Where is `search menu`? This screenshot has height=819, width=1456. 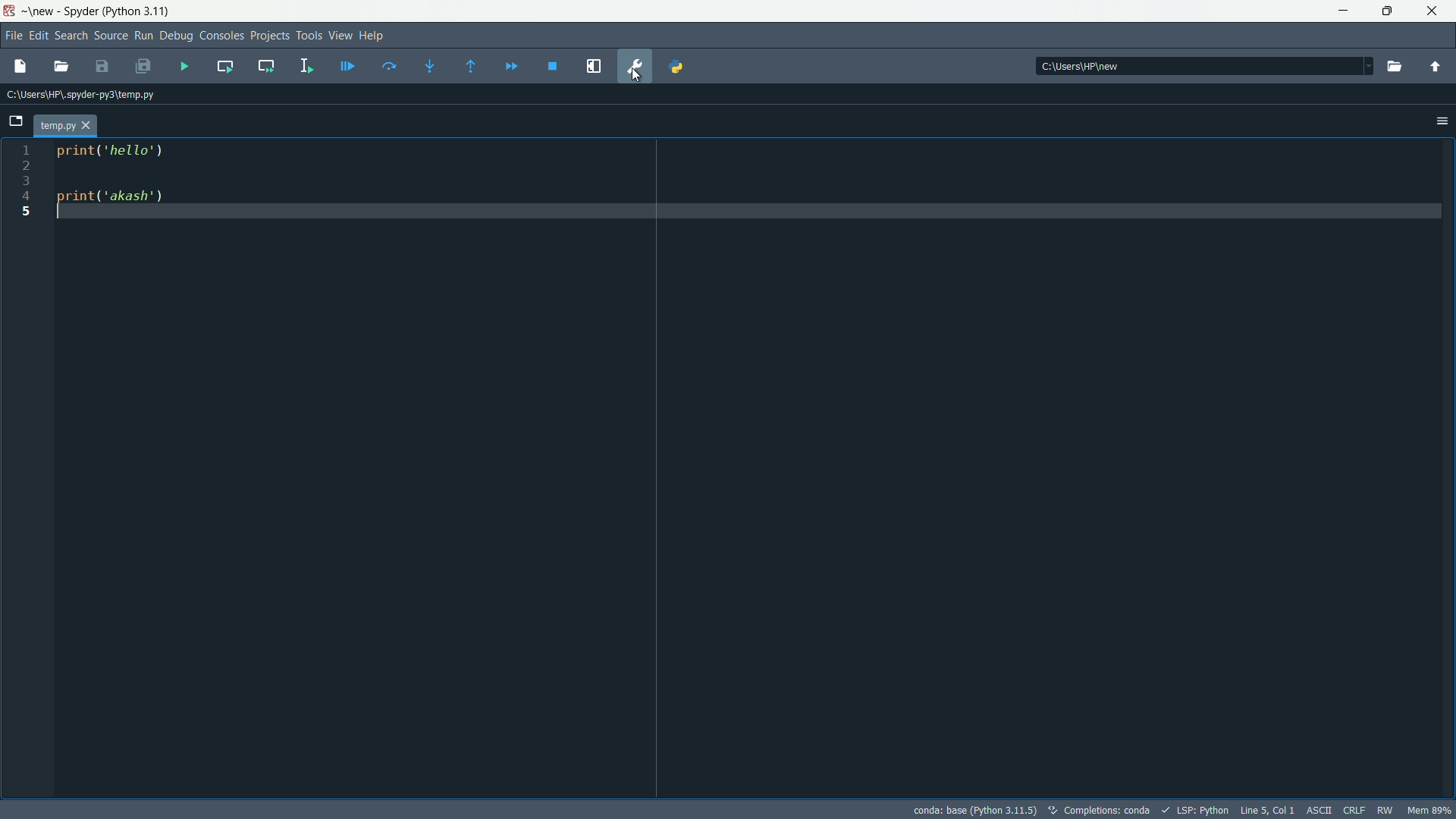 search menu is located at coordinates (72, 36).